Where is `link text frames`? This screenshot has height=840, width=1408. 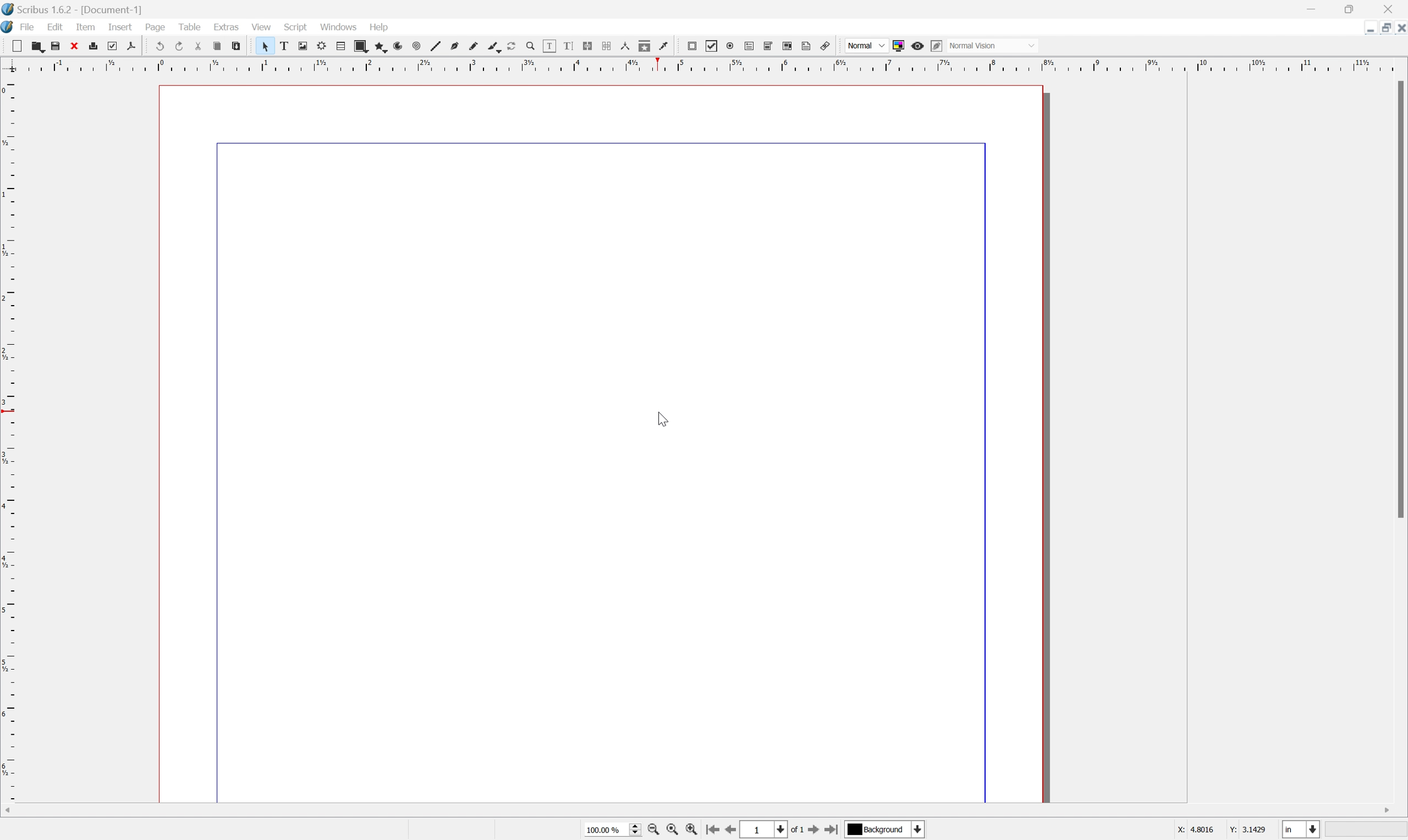
link text frames is located at coordinates (588, 45).